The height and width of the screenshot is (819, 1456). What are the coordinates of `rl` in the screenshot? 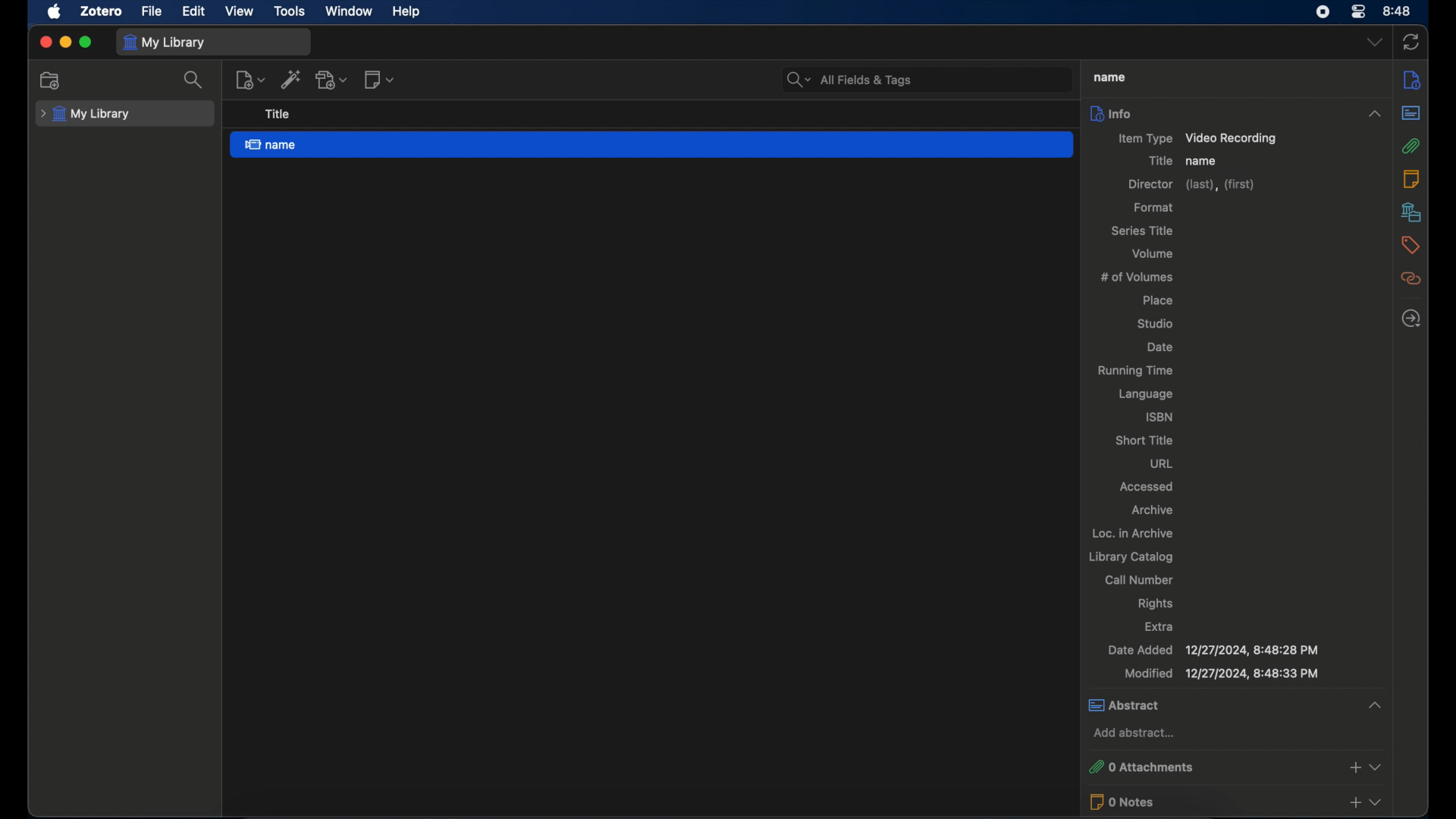 It's located at (1162, 463).